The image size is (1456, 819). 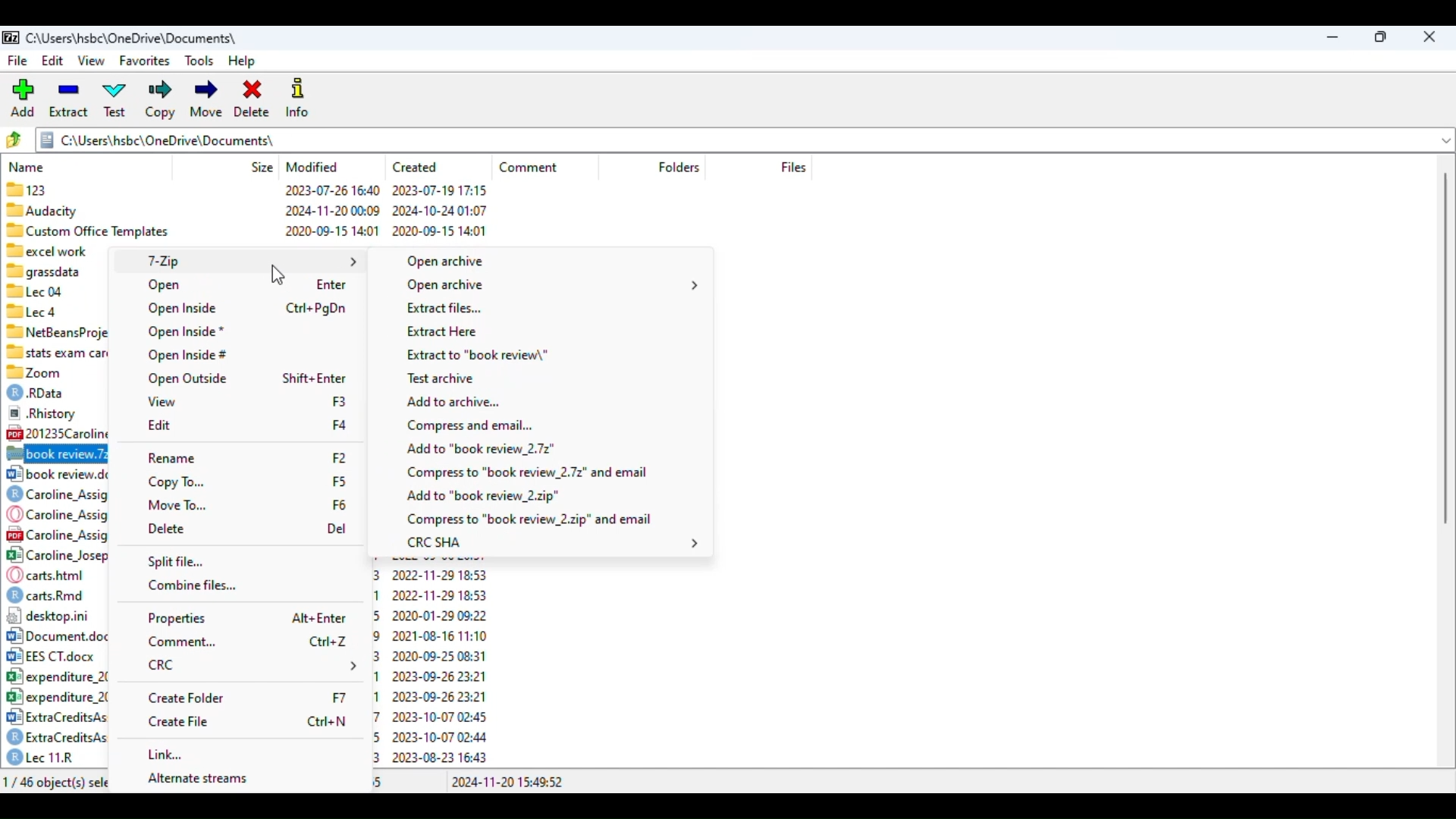 What do you see at coordinates (1334, 38) in the screenshot?
I see `minimize` at bounding box center [1334, 38].